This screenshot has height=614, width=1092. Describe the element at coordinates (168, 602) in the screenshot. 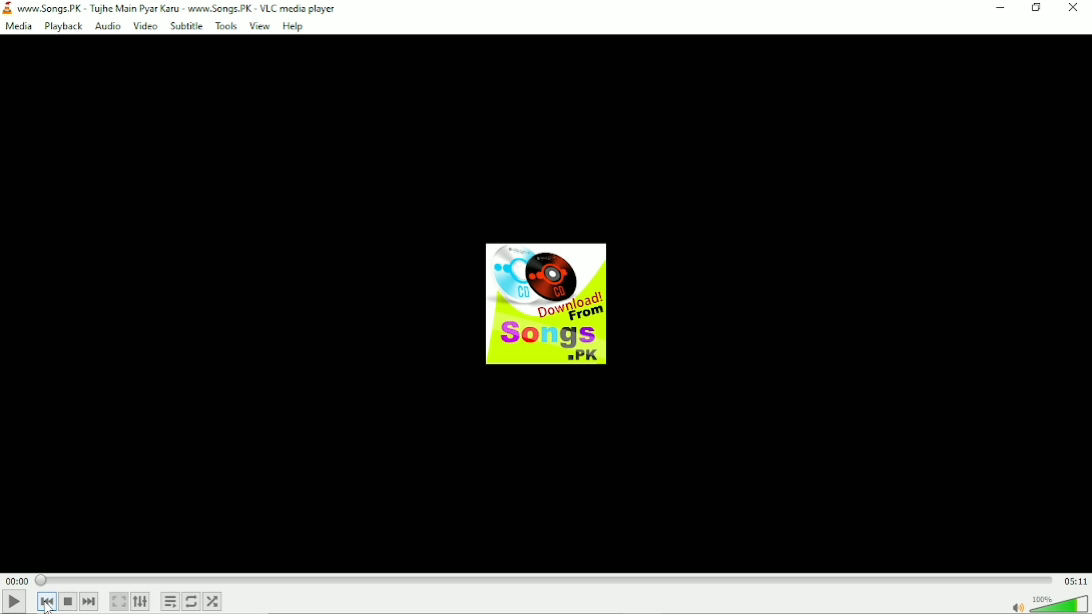

I see `Toggle playlist` at that location.